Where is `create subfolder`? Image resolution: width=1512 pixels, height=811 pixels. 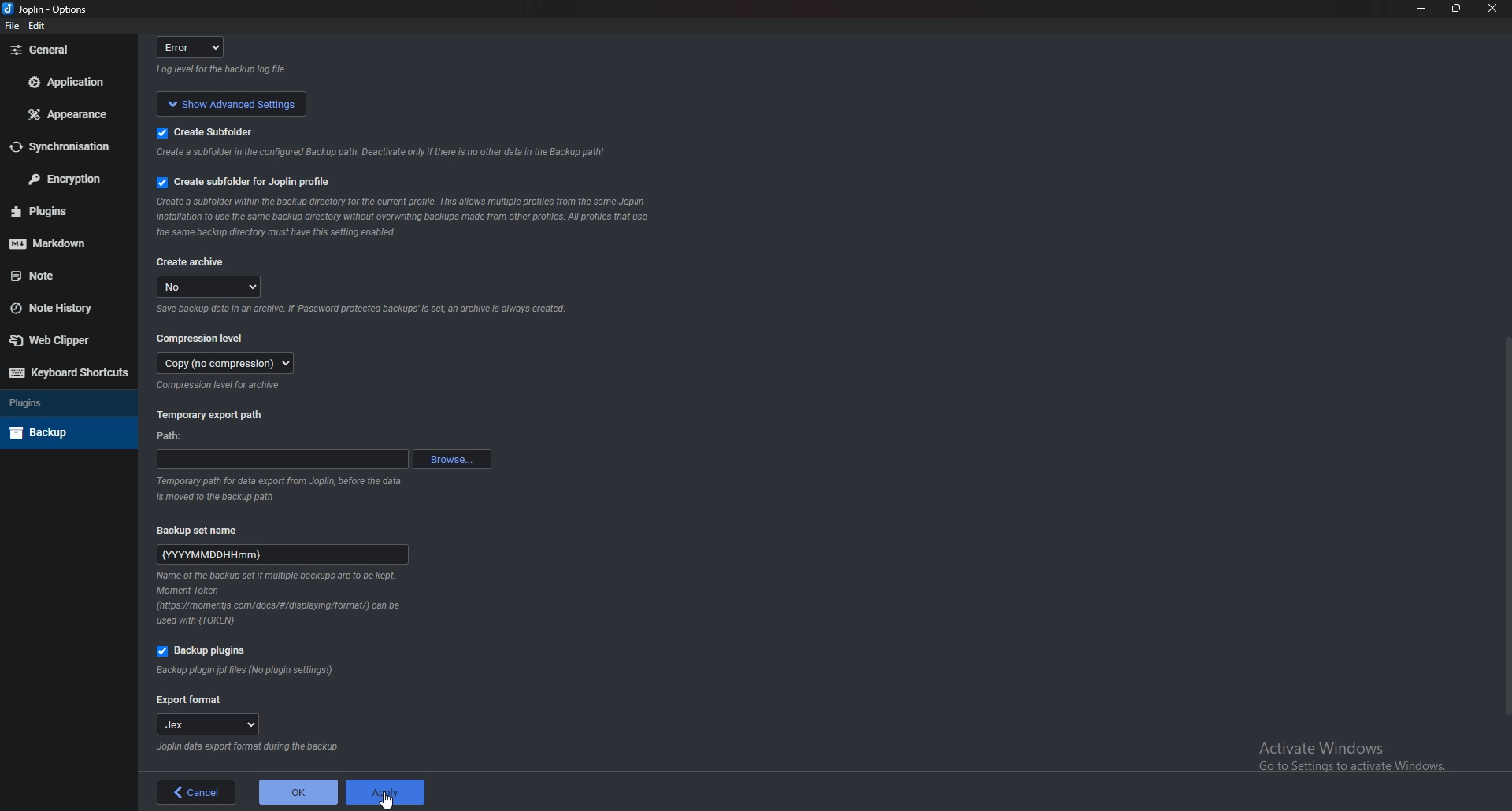
create subfolder is located at coordinates (226, 131).